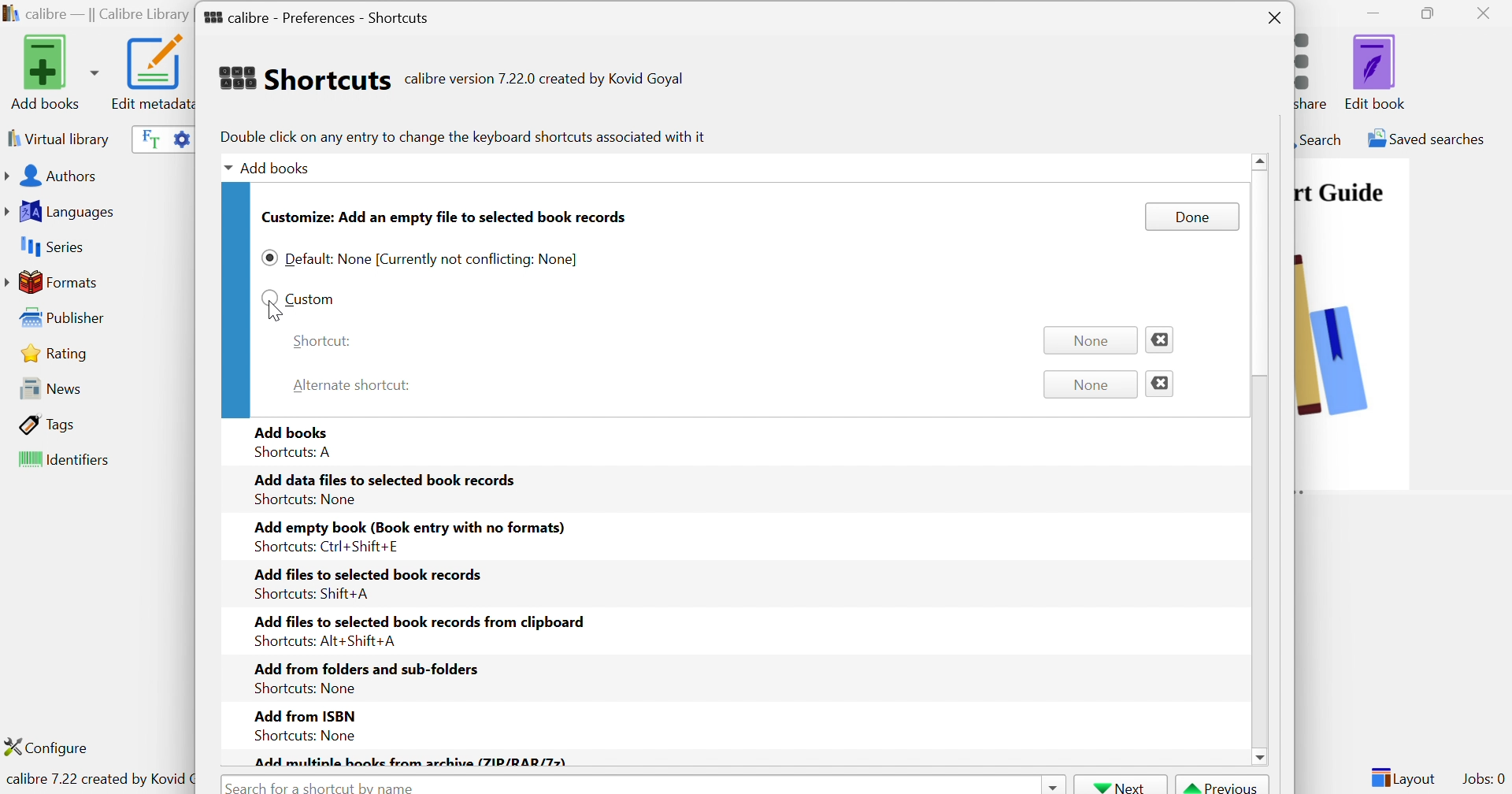 The width and height of the screenshot is (1512, 794). I want to click on Shortcuts: None, so click(302, 689).